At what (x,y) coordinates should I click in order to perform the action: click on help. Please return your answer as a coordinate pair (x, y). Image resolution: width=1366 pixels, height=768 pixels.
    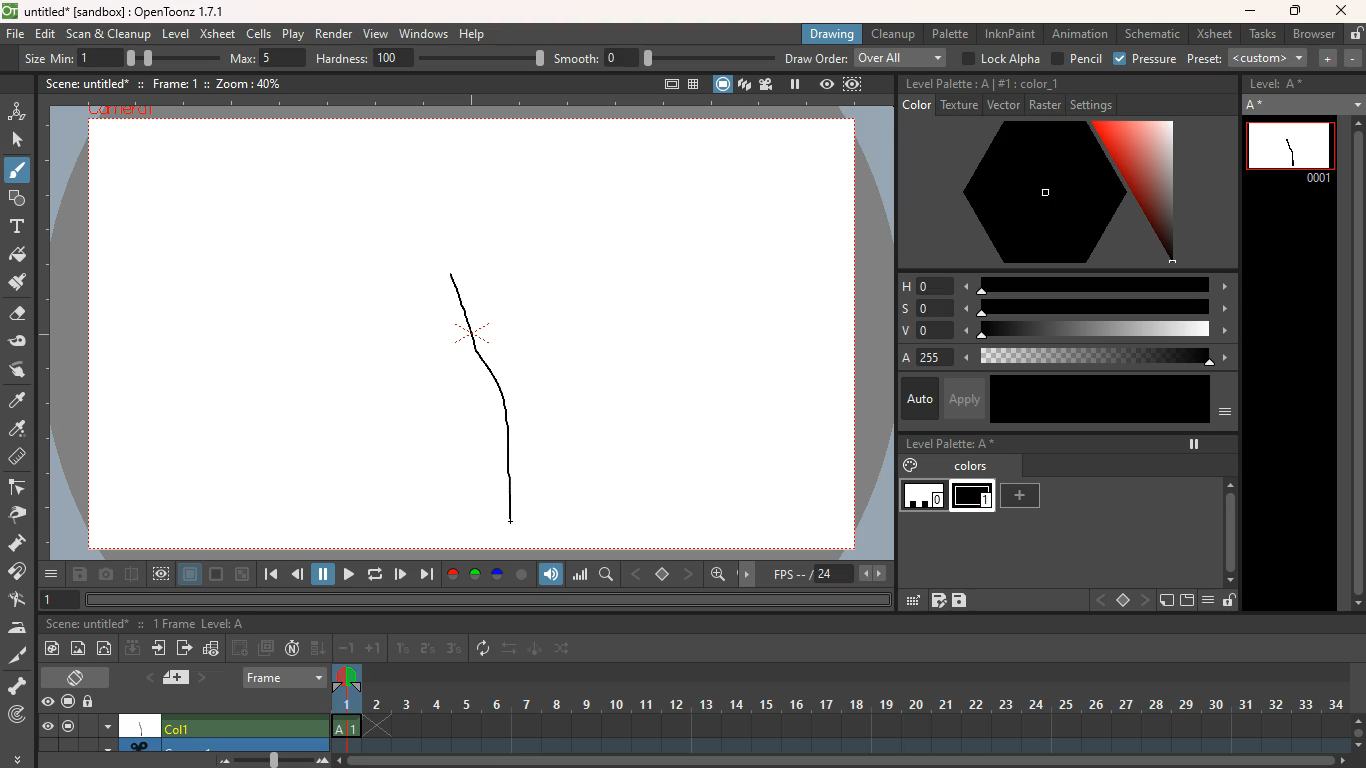
    Looking at the image, I should click on (474, 35).